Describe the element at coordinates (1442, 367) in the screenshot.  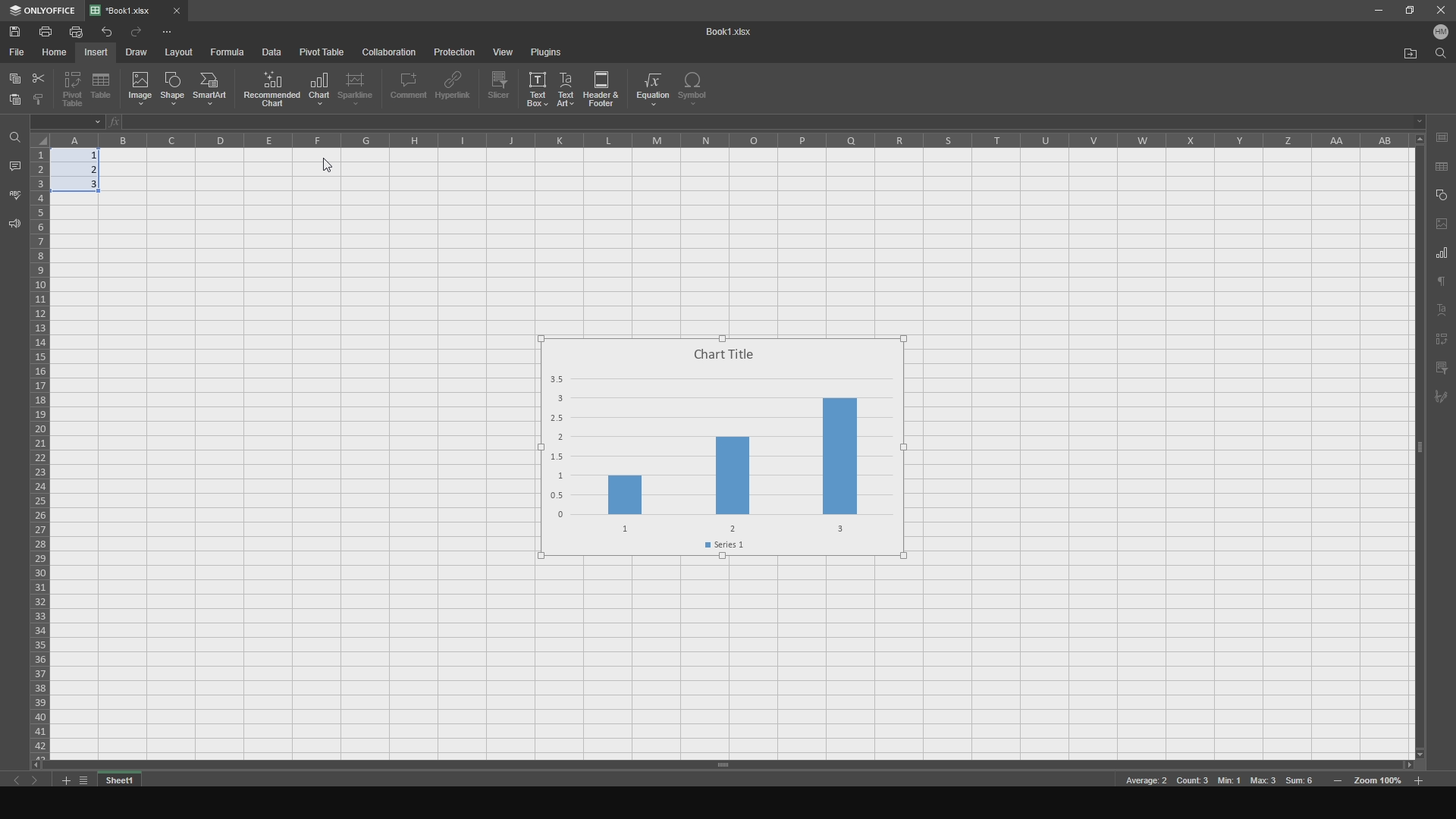
I see `filter` at that location.